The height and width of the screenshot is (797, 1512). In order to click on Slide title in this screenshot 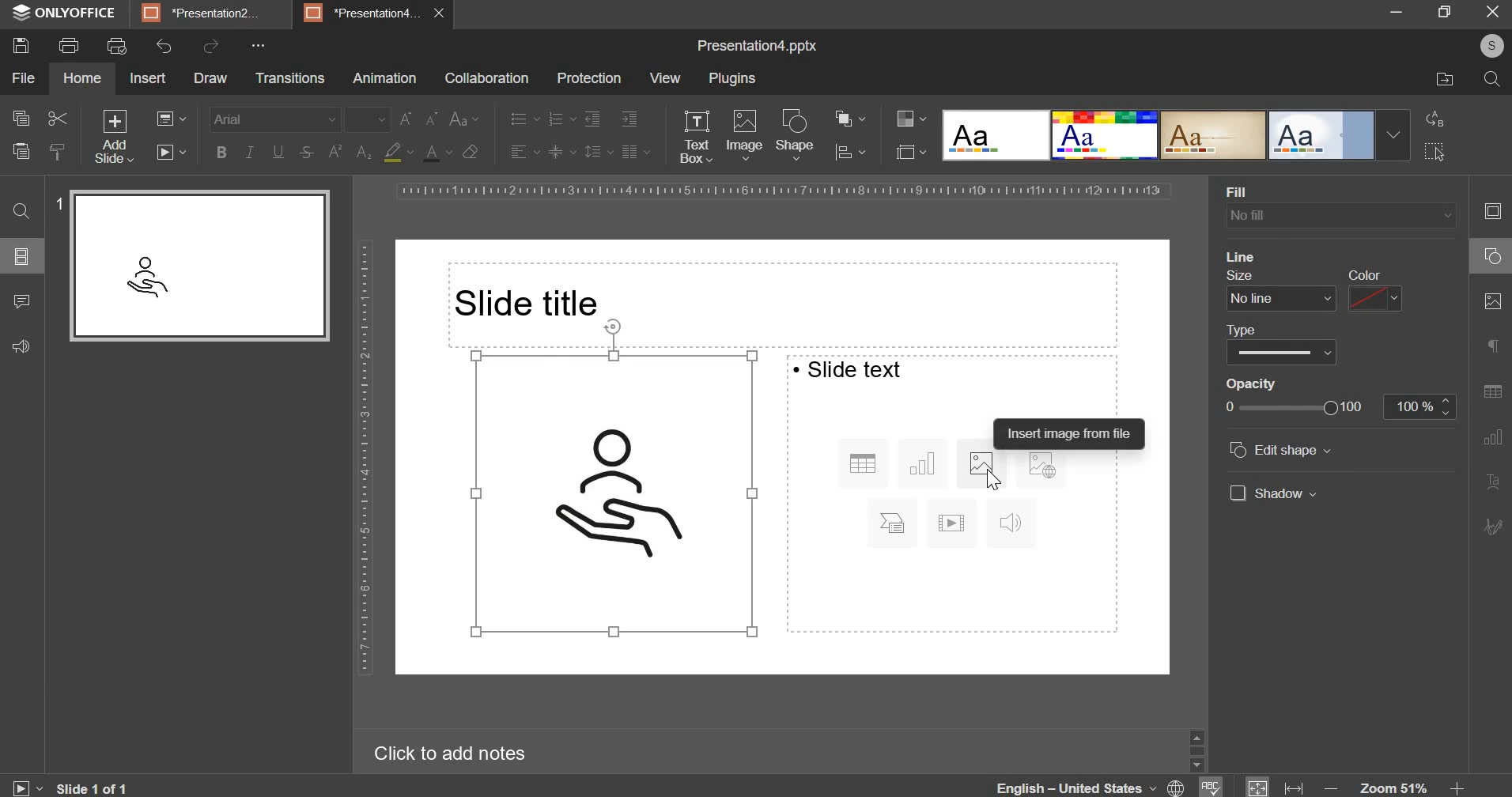, I will do `click(782, 305)`.